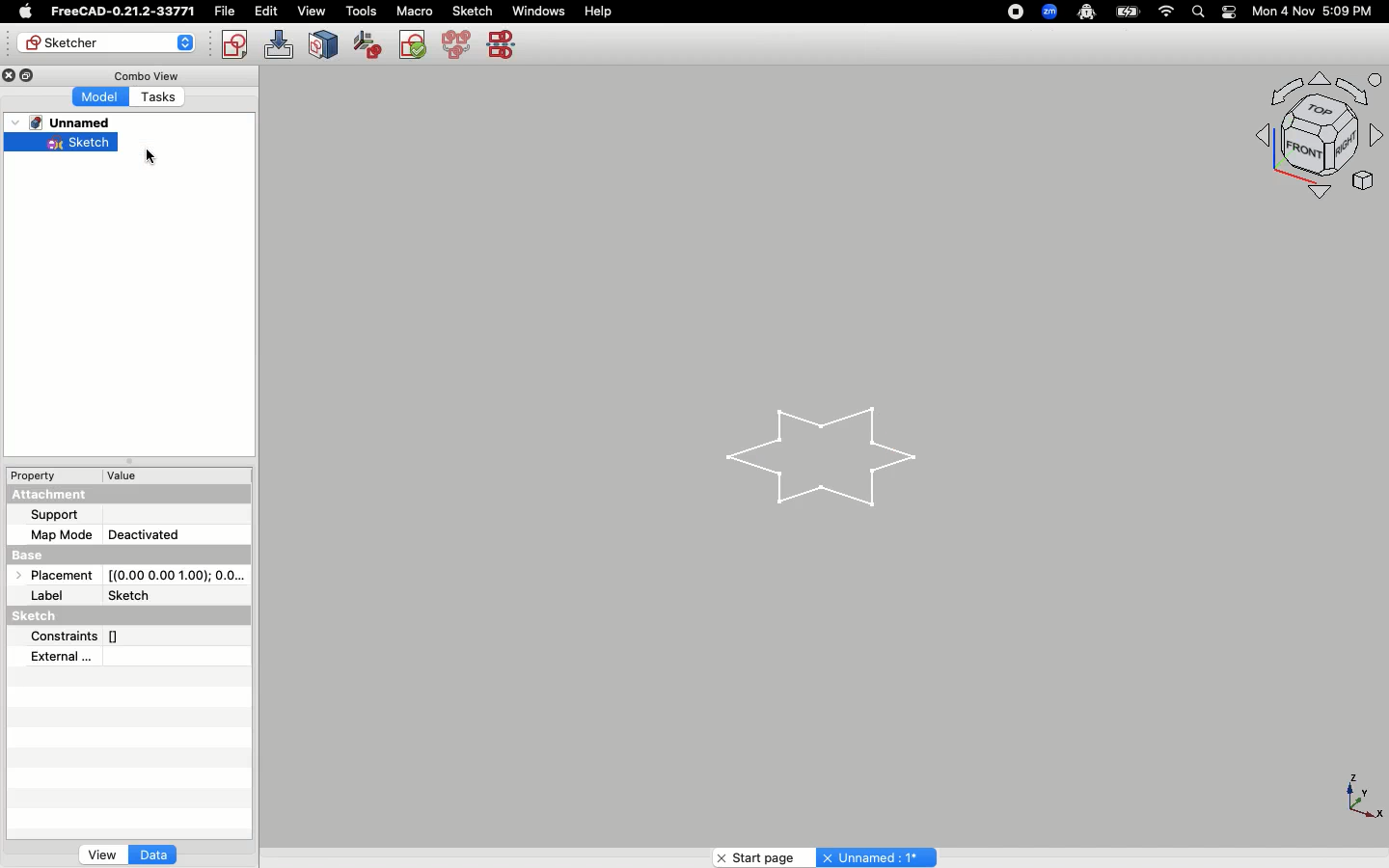 The width and height of the screenshot is (1389, 868). What do you see at coordinates (312, 11) in the screenshot?
I see `view` at bounding box center [312, 11].